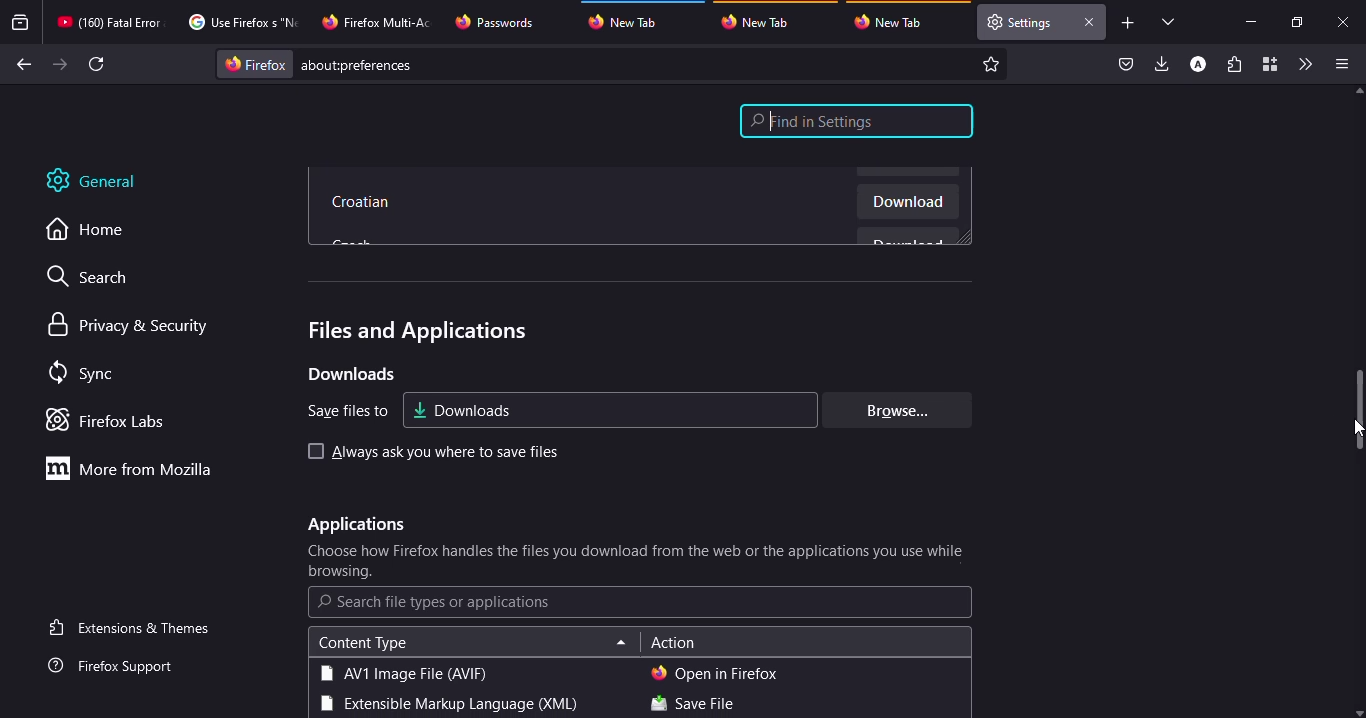 This screenshot has height=718, width=1366. I want to click on action, so click(673, 644).